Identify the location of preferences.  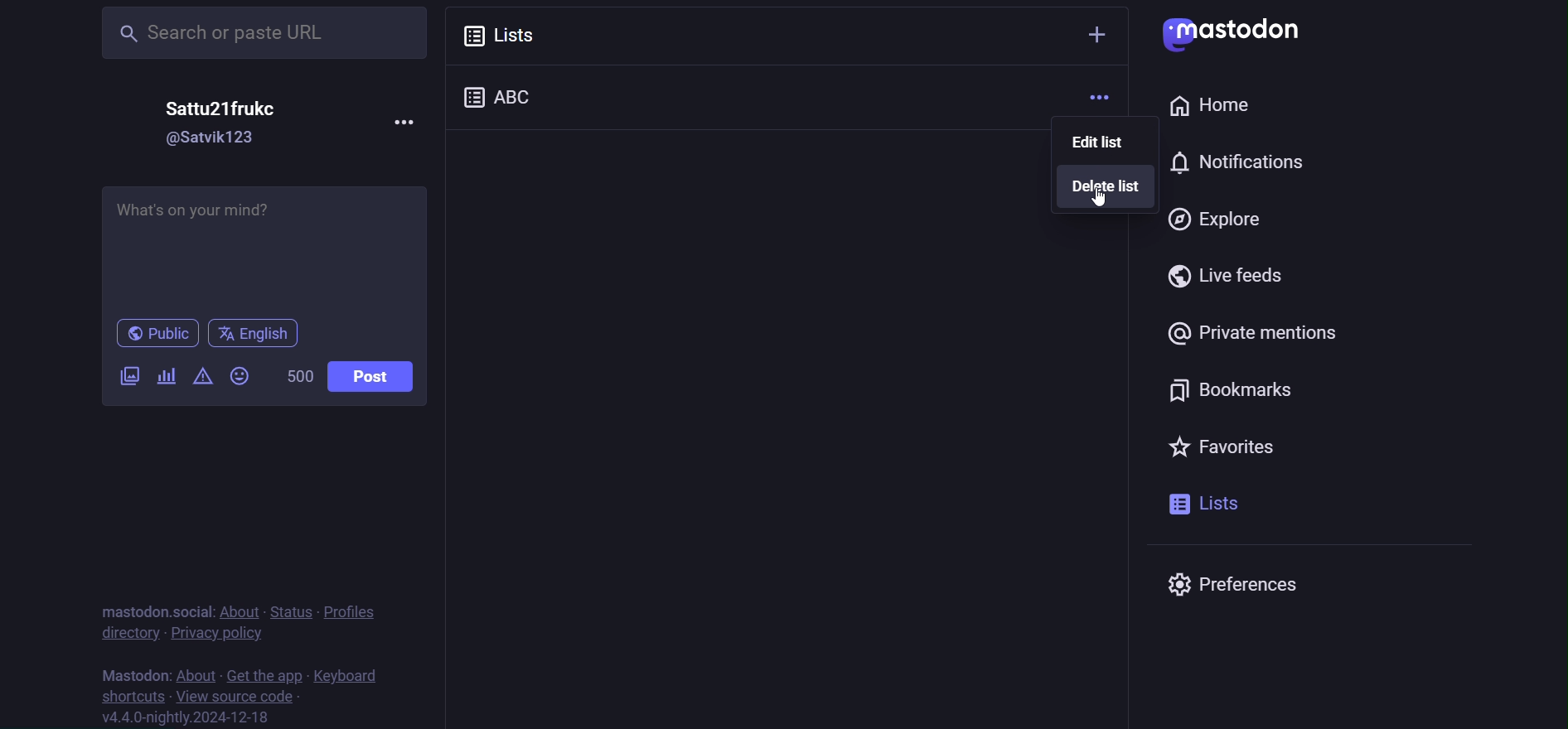
(1248, 585).